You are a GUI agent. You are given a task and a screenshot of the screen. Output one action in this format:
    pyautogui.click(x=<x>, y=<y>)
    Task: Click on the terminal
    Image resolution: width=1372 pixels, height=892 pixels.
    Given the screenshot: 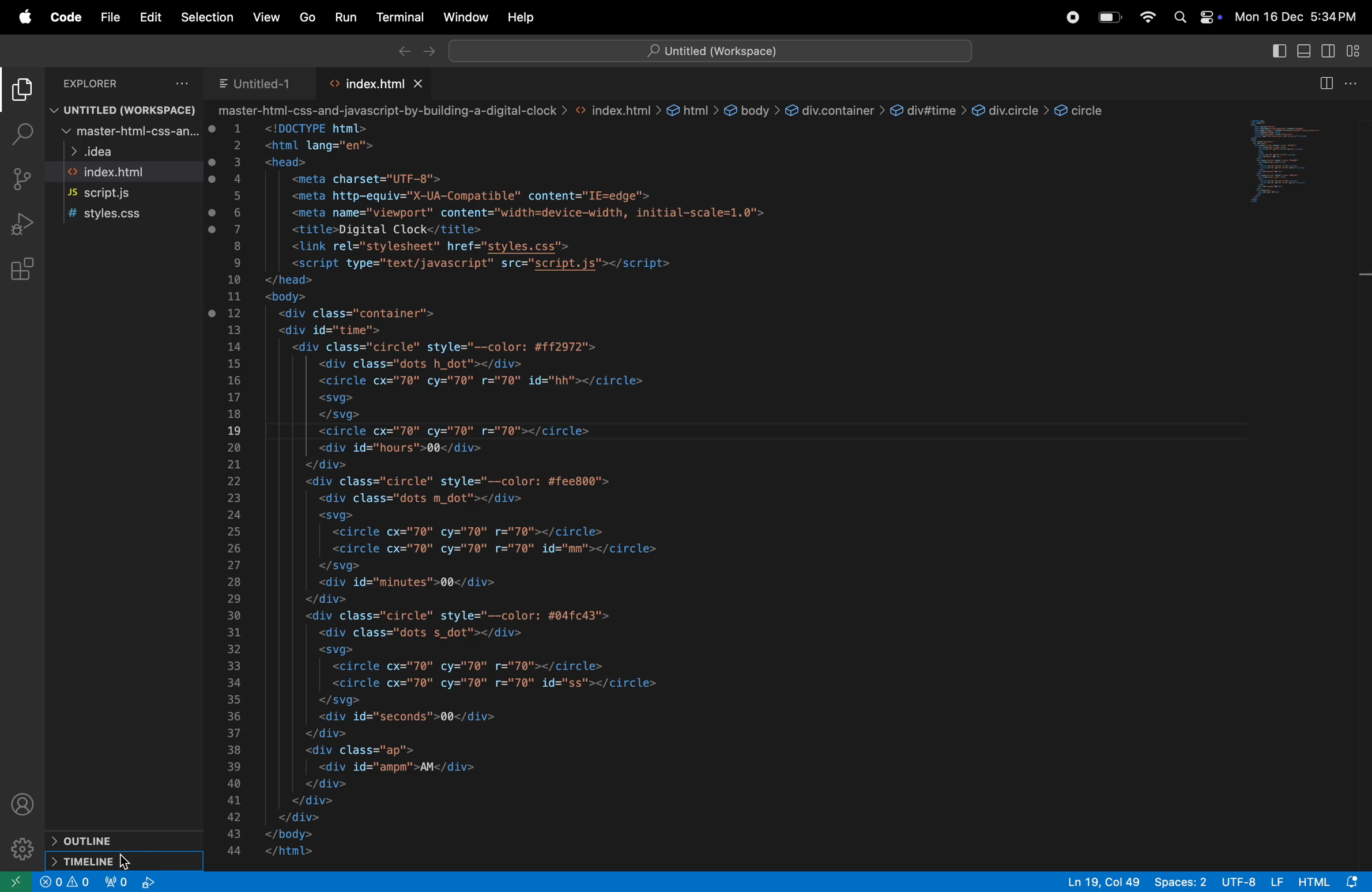 What is the action you would take?
    pyautogui.click(x=402, y=16)
    